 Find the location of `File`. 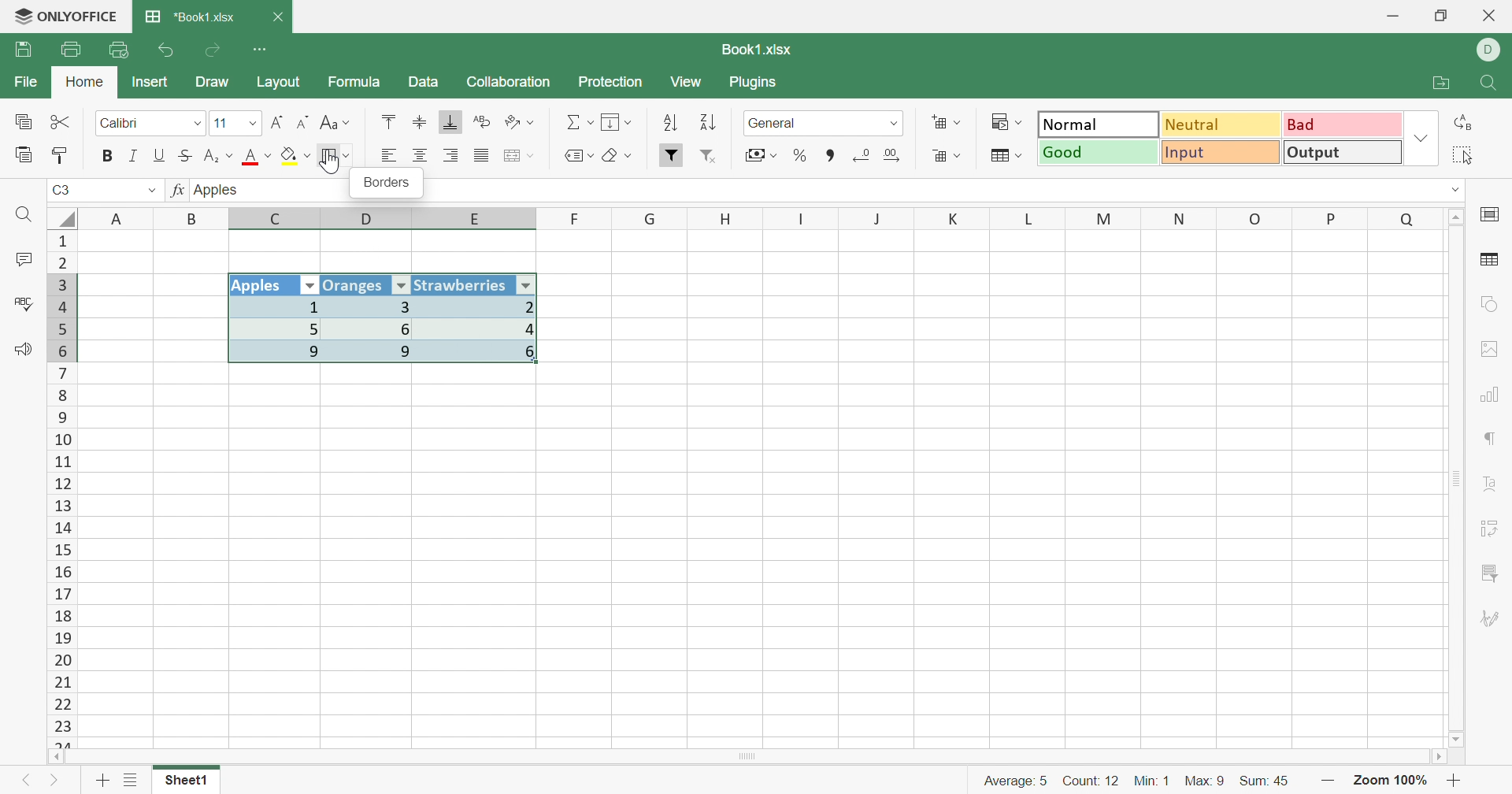

File is located at coordinates (22, 83).